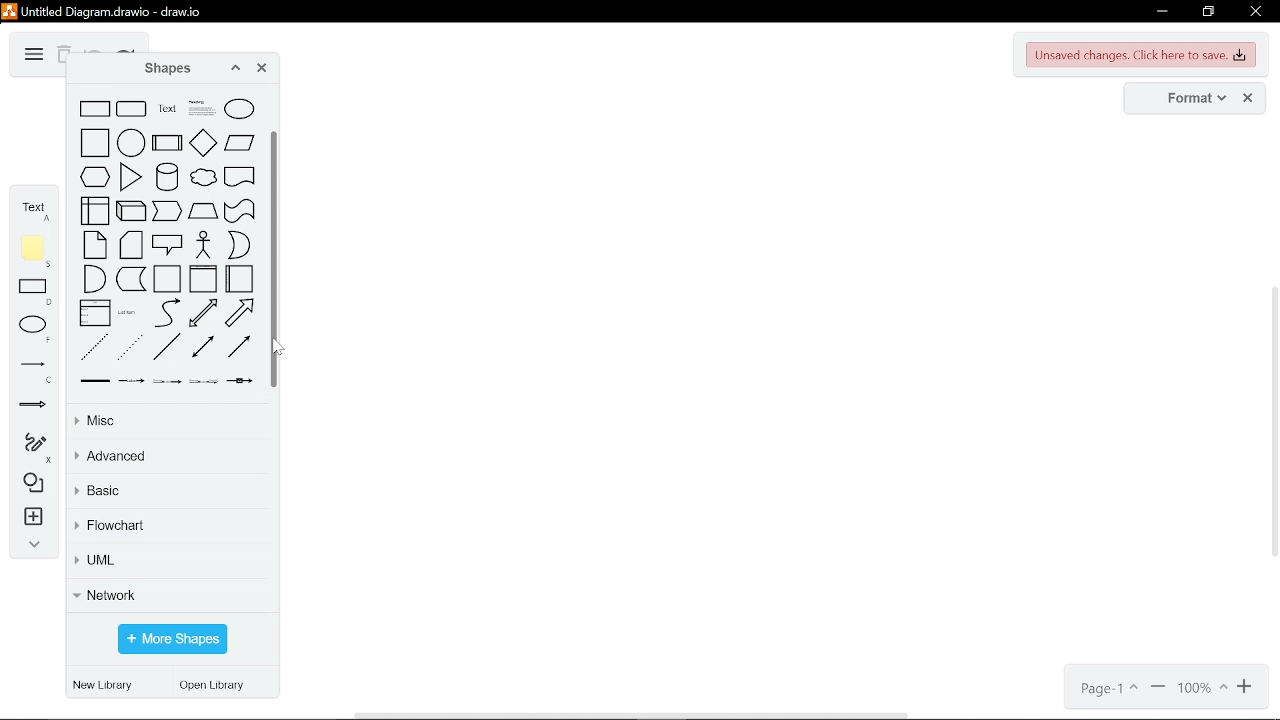  Describe the element at coordinates (239, 278) in the screenshot. I see `horizontal container` at that location.